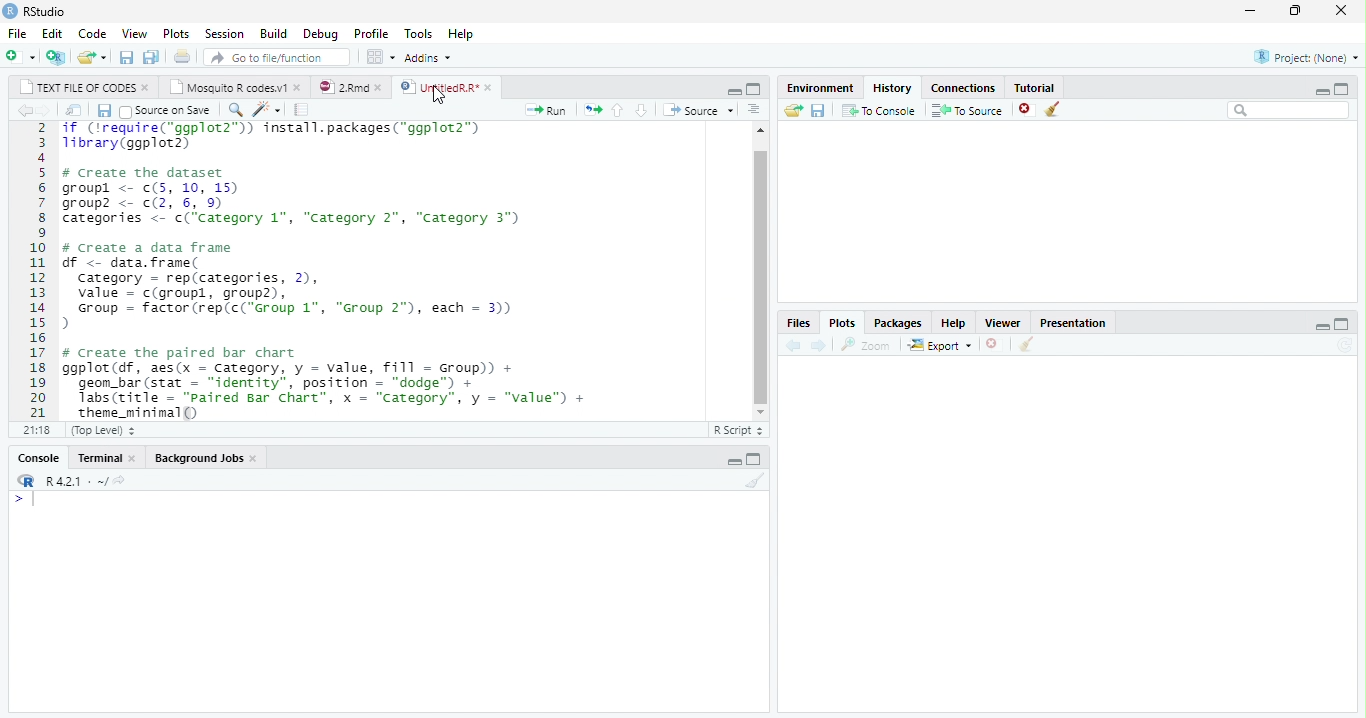 The image size is (1366, 718). Describe the element at coordinates (992, 343) in the screenshot. I see `close` at that location.